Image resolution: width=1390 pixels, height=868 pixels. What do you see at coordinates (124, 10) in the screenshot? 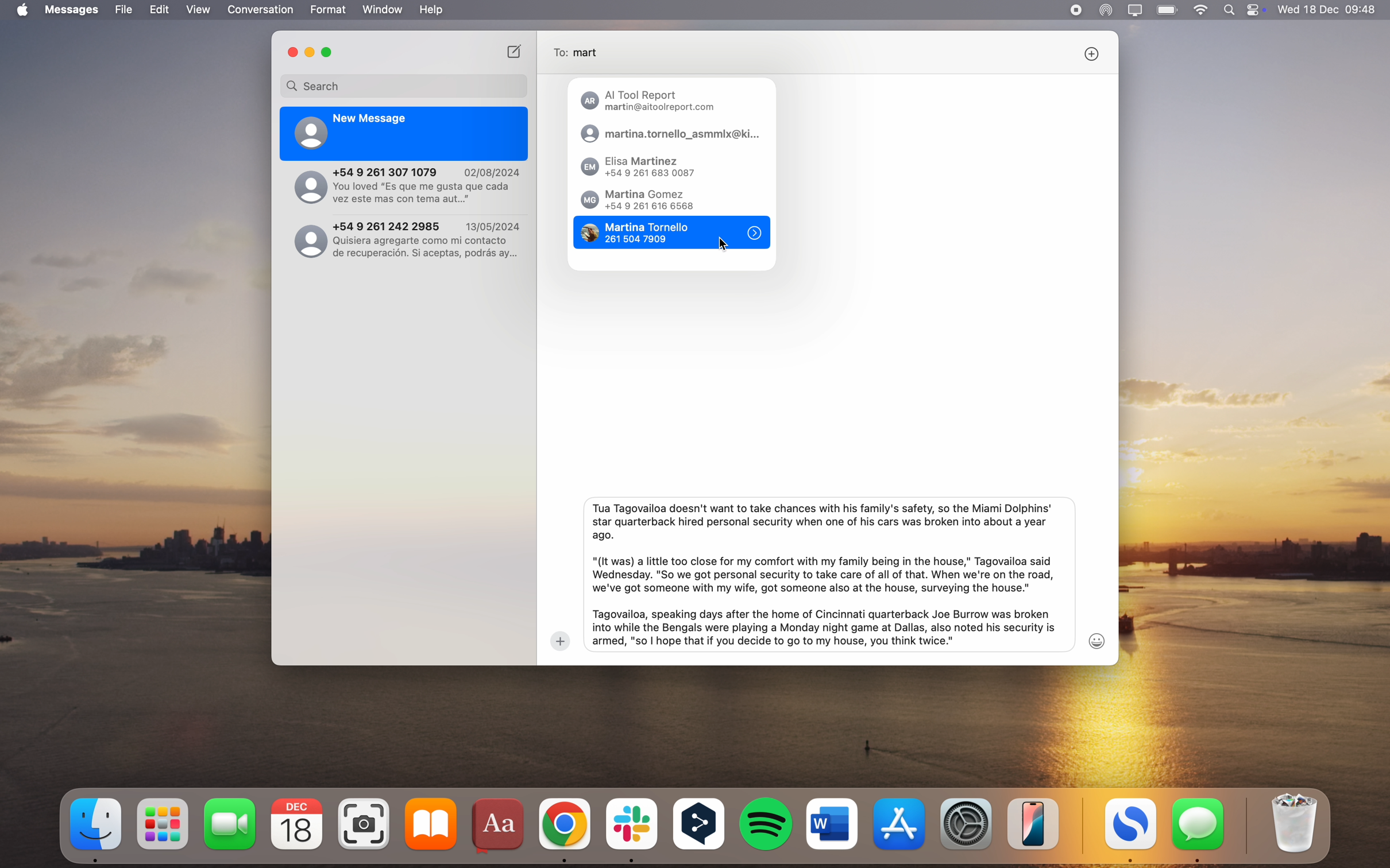
I see `file` at bounding box center [124, 10].